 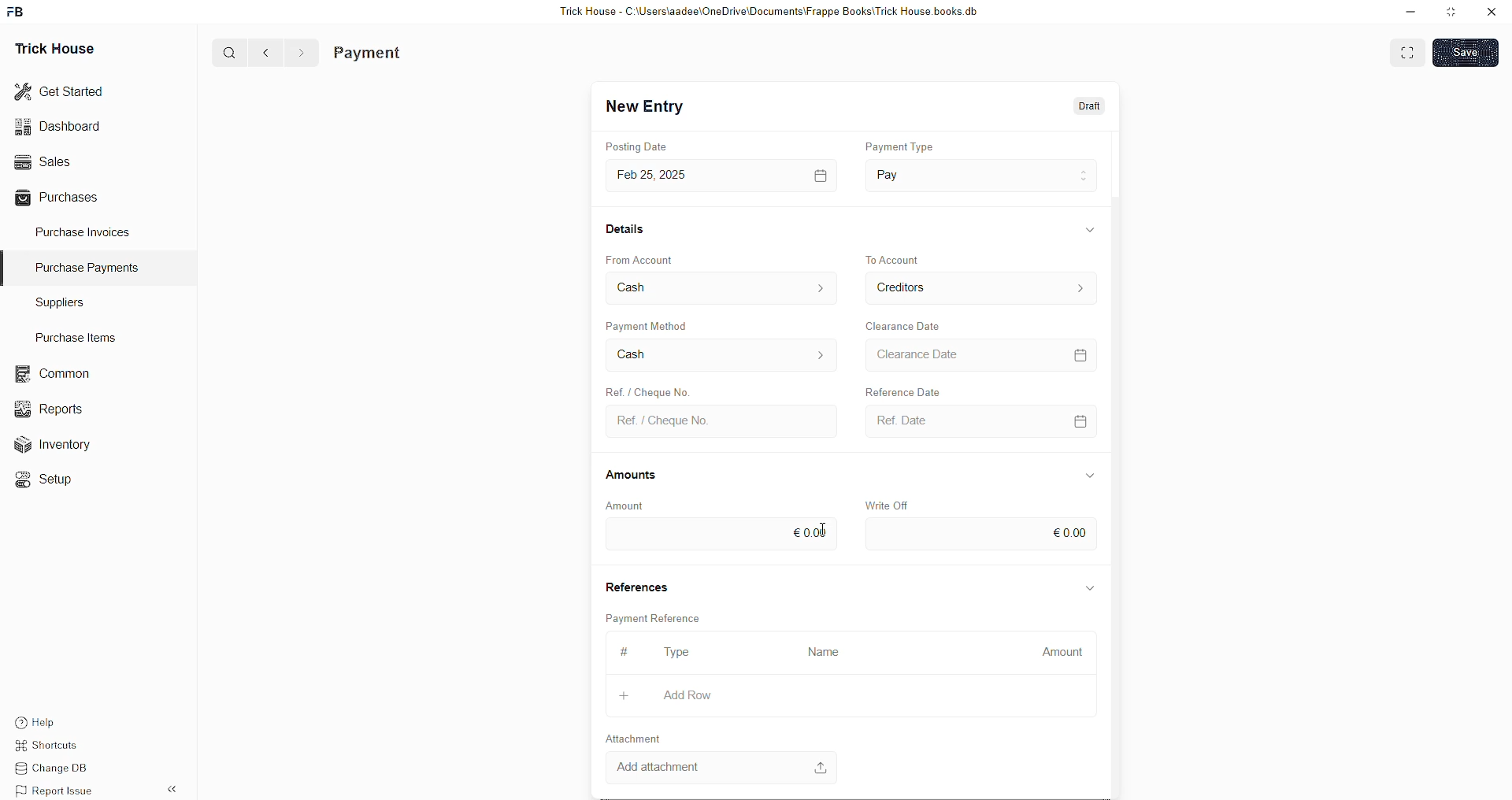 I want to click on Trick House - C:\Users\aadee\OneDrive\Documents\Frappe Books\Trick House books.db, so click(x=772, y=12).